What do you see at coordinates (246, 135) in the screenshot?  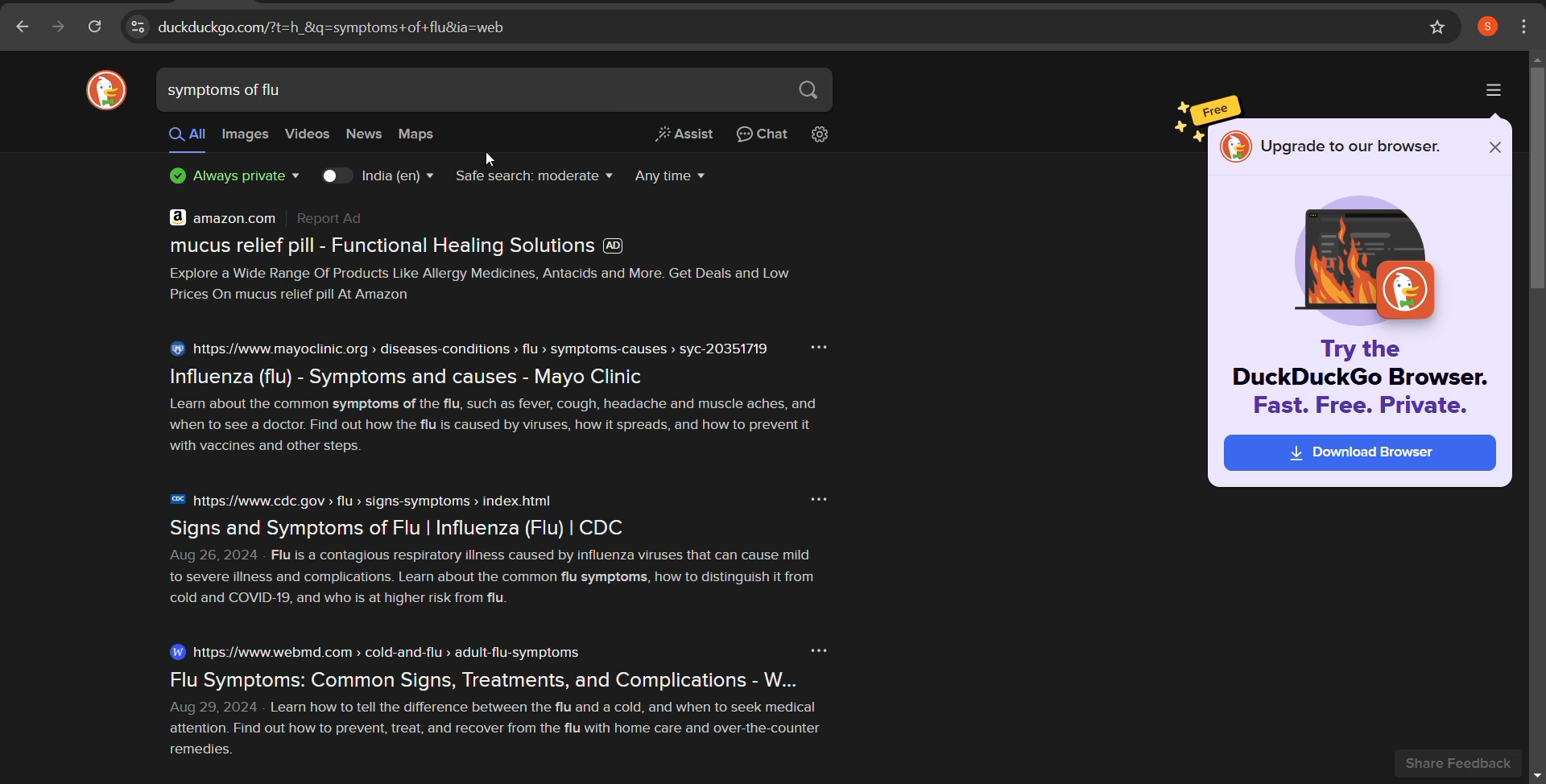 I see `images` at bounding box center [246, 135].